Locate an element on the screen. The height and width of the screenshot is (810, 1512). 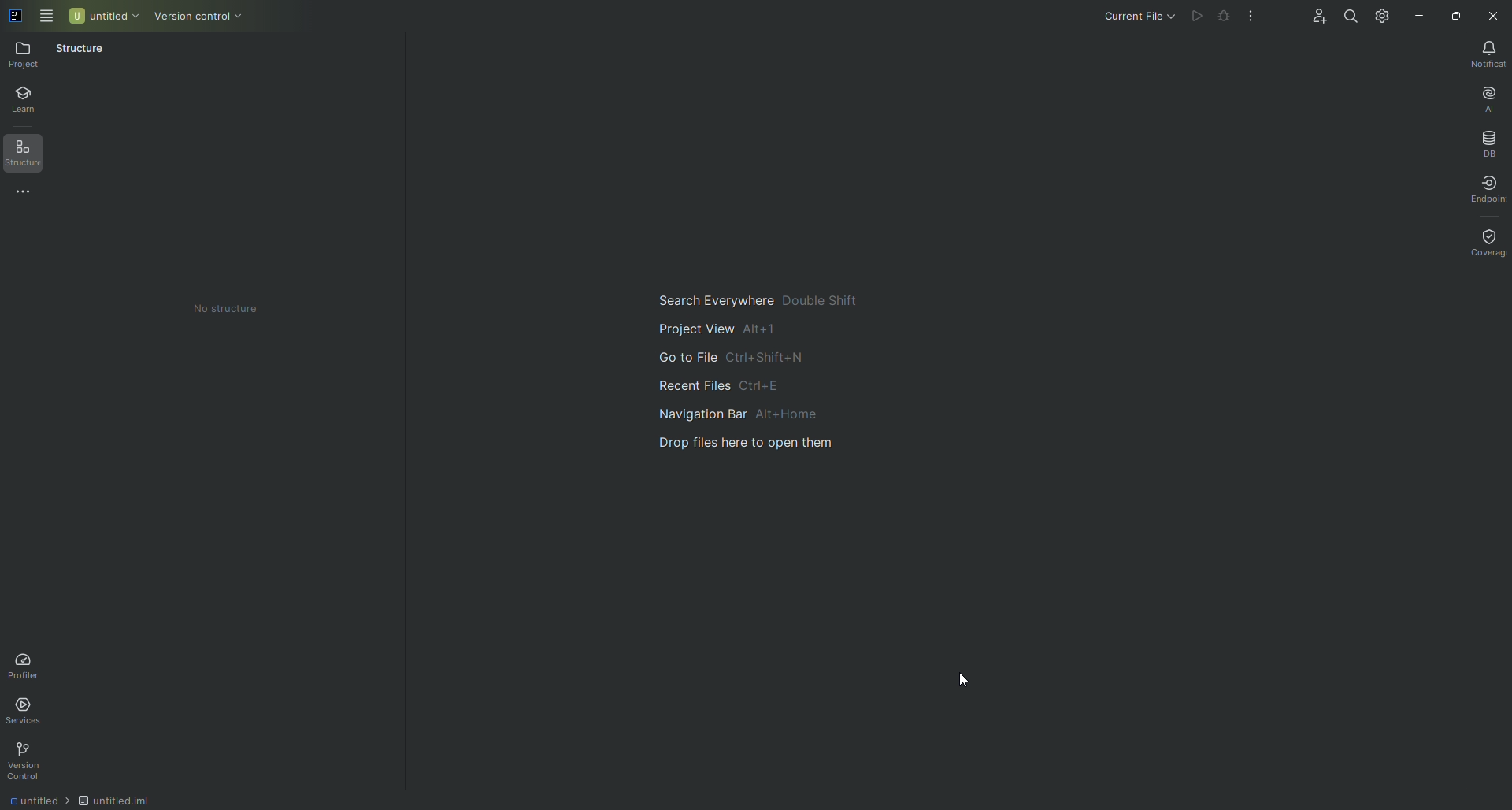
Go to file is located at coordinates (728, 359).